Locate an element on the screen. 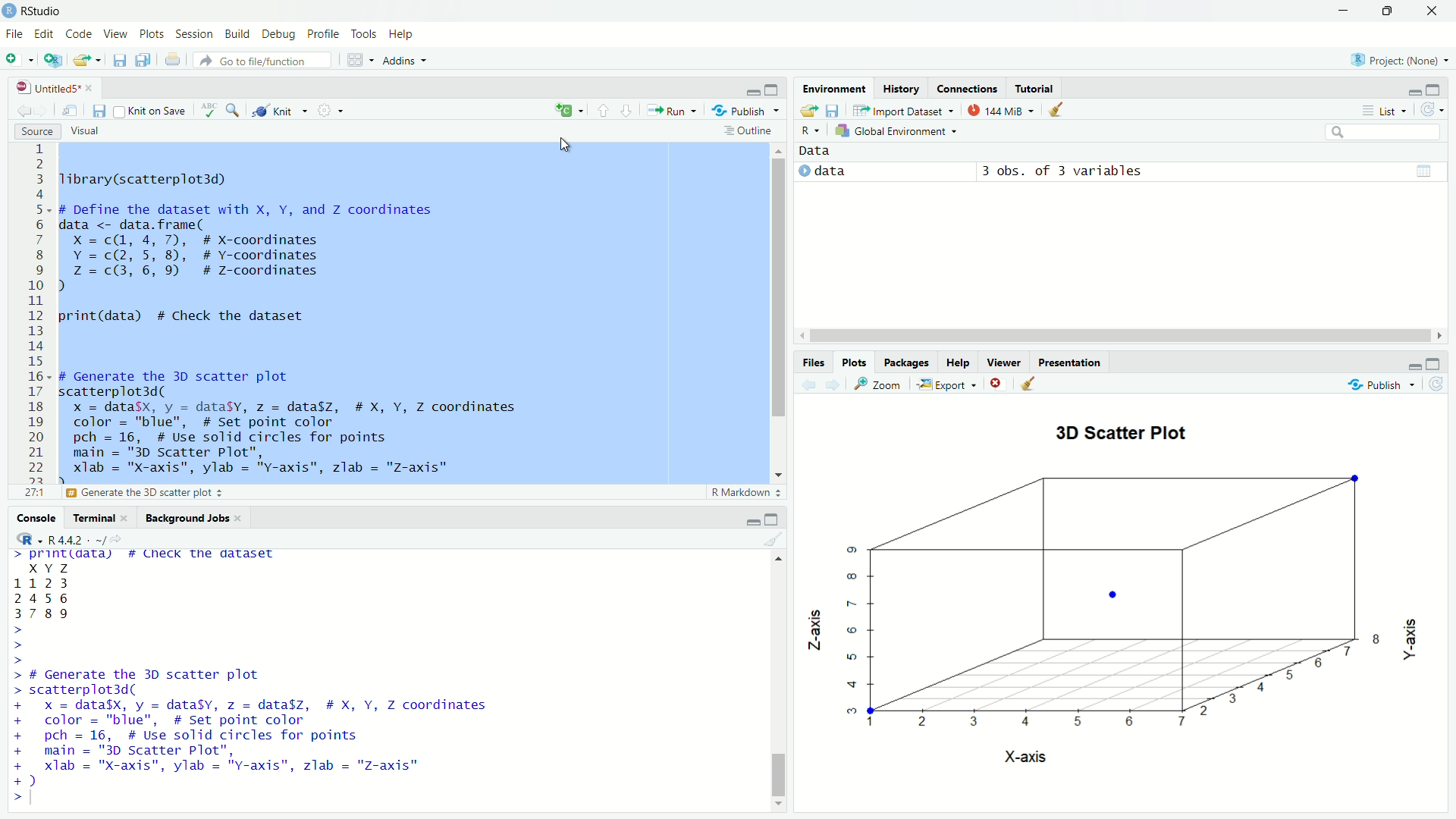  x y 7 is located at coordinates (52, 567).